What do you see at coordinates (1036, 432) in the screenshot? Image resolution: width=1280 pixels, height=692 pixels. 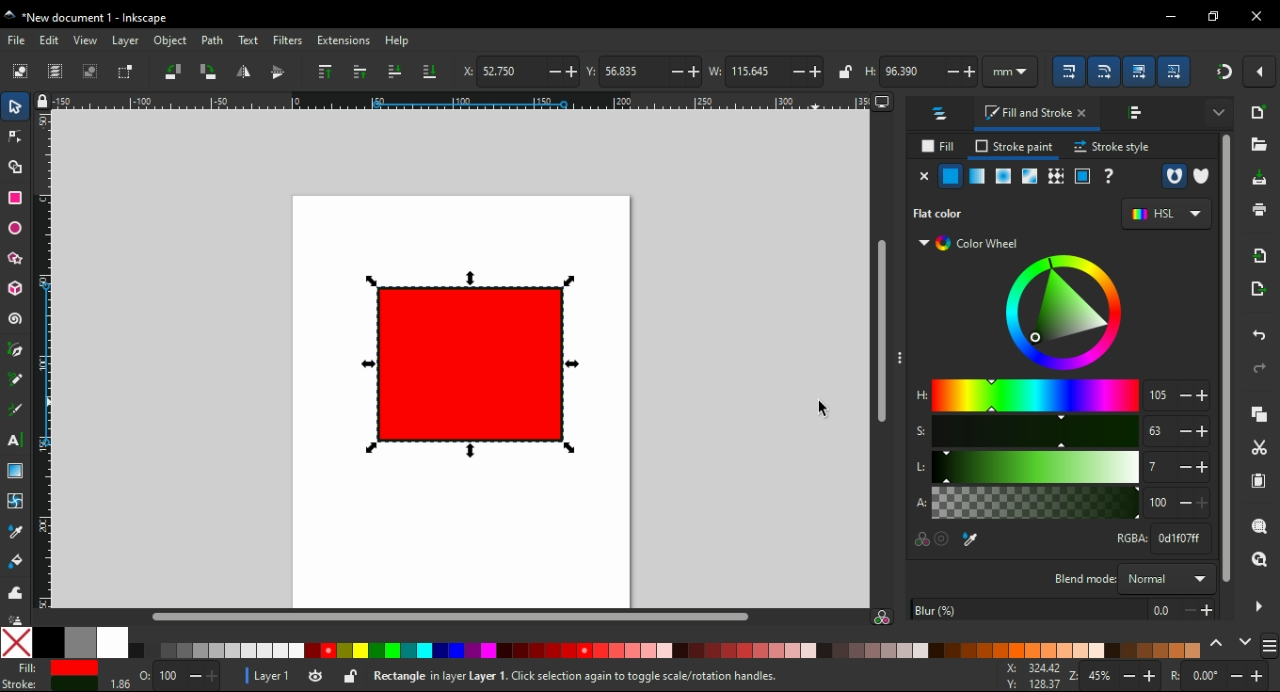 I see `saturation` at bounding box center [1036, 432].